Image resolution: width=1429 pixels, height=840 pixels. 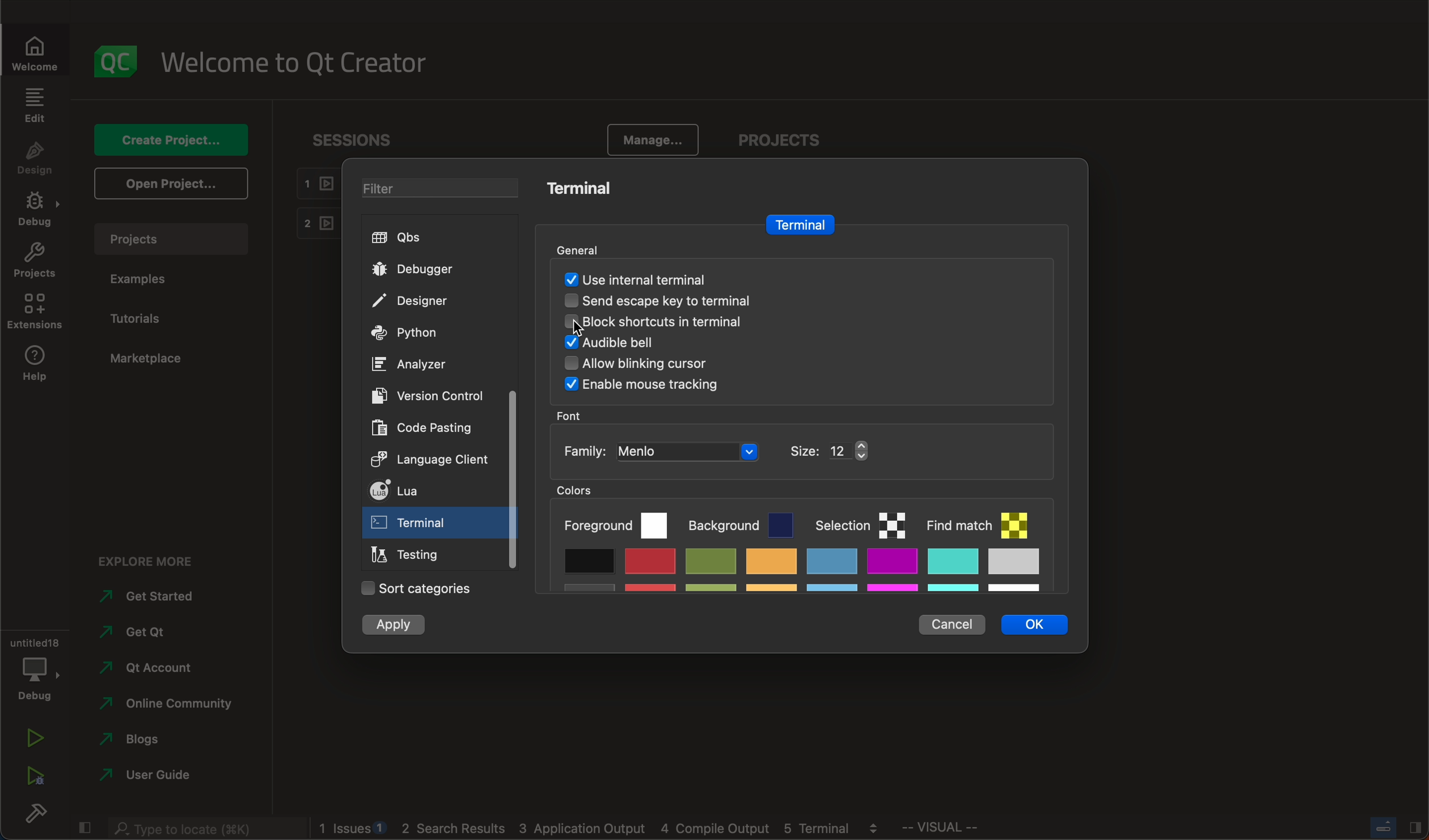 I want to click on designer, so click(x=421, y=300).